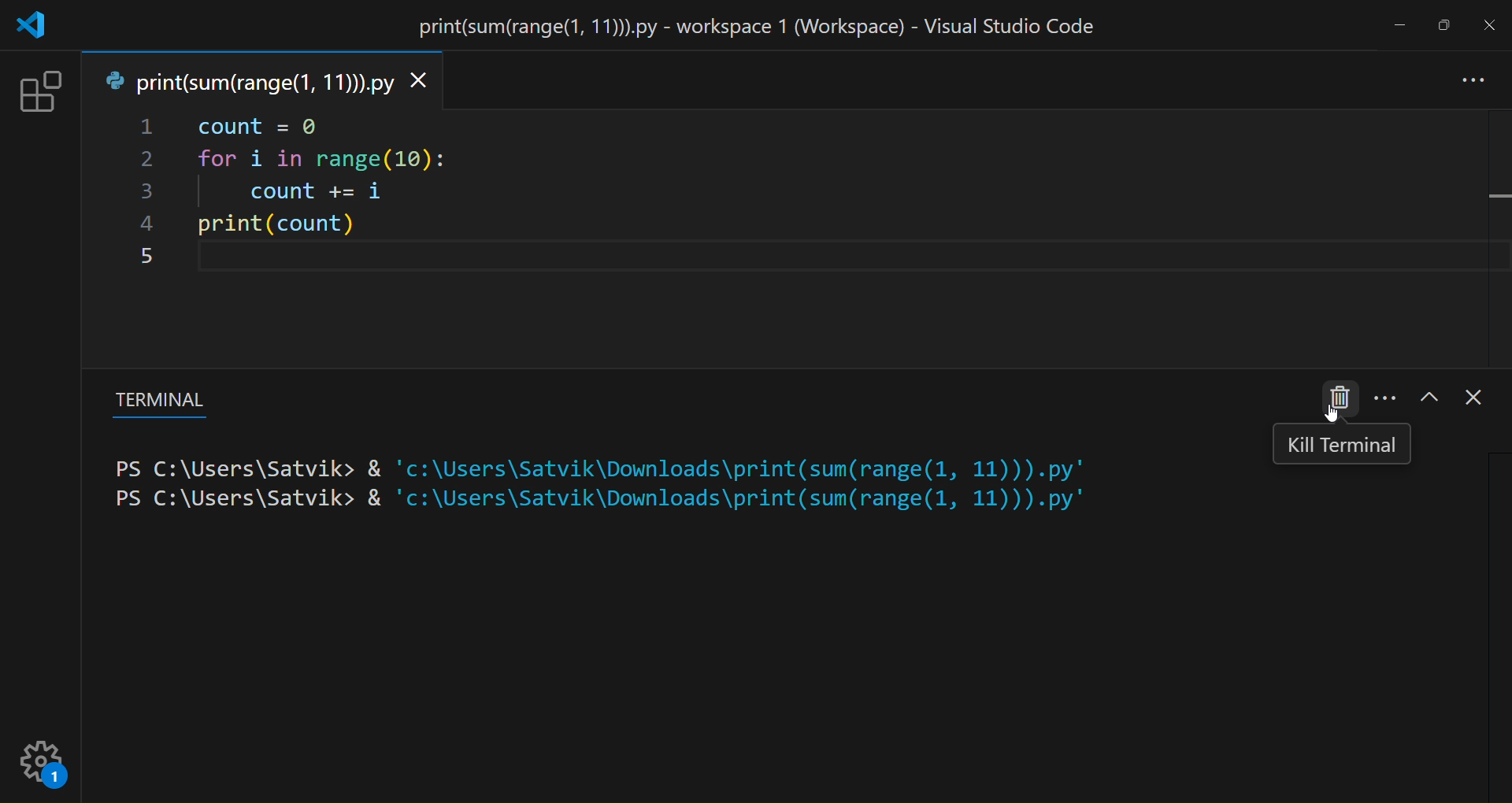  What do you see at coordinates (1498, 616) in the screenshot?
I see `vertical scroll bar` at bounding box center [1498, 616].